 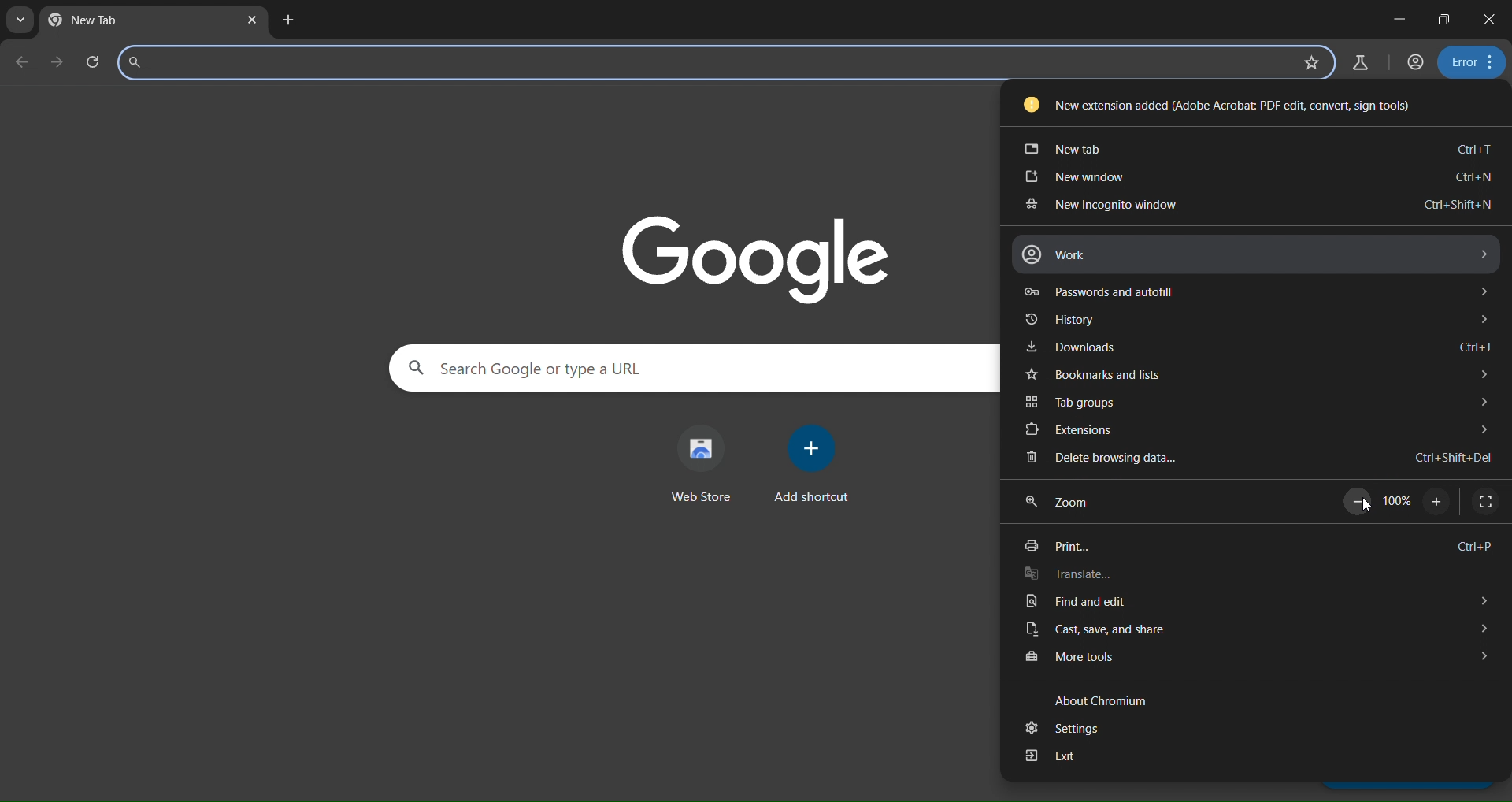 What do you see at coordinates (1359, 63) in the screenshot?
I see `search labs` at bounding box center [1359, 63].